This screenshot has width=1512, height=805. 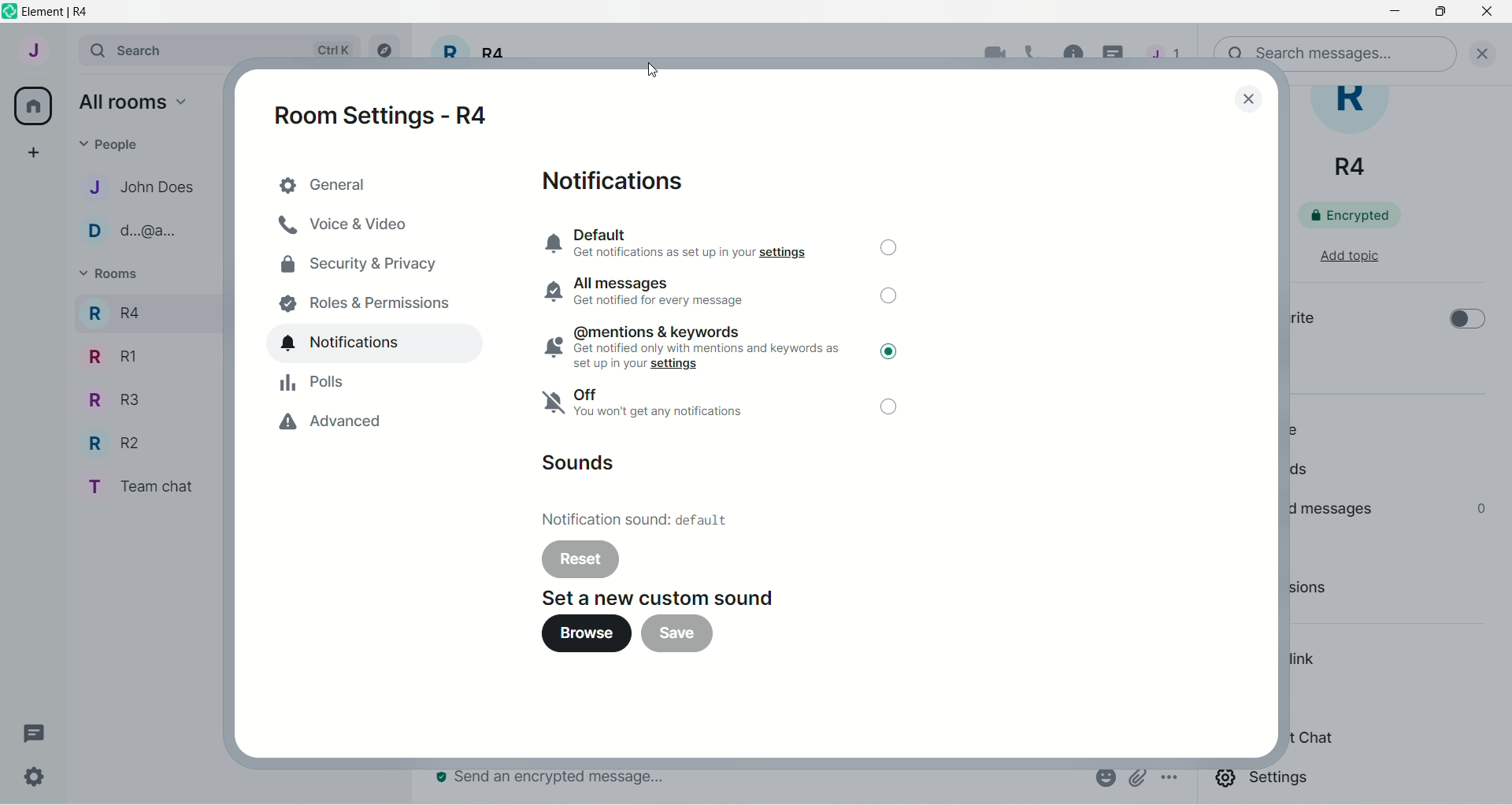 What do you see at coordinates (1443, 13) in the screenshot?
I see `maximize` at bounding box center [1443, 13].